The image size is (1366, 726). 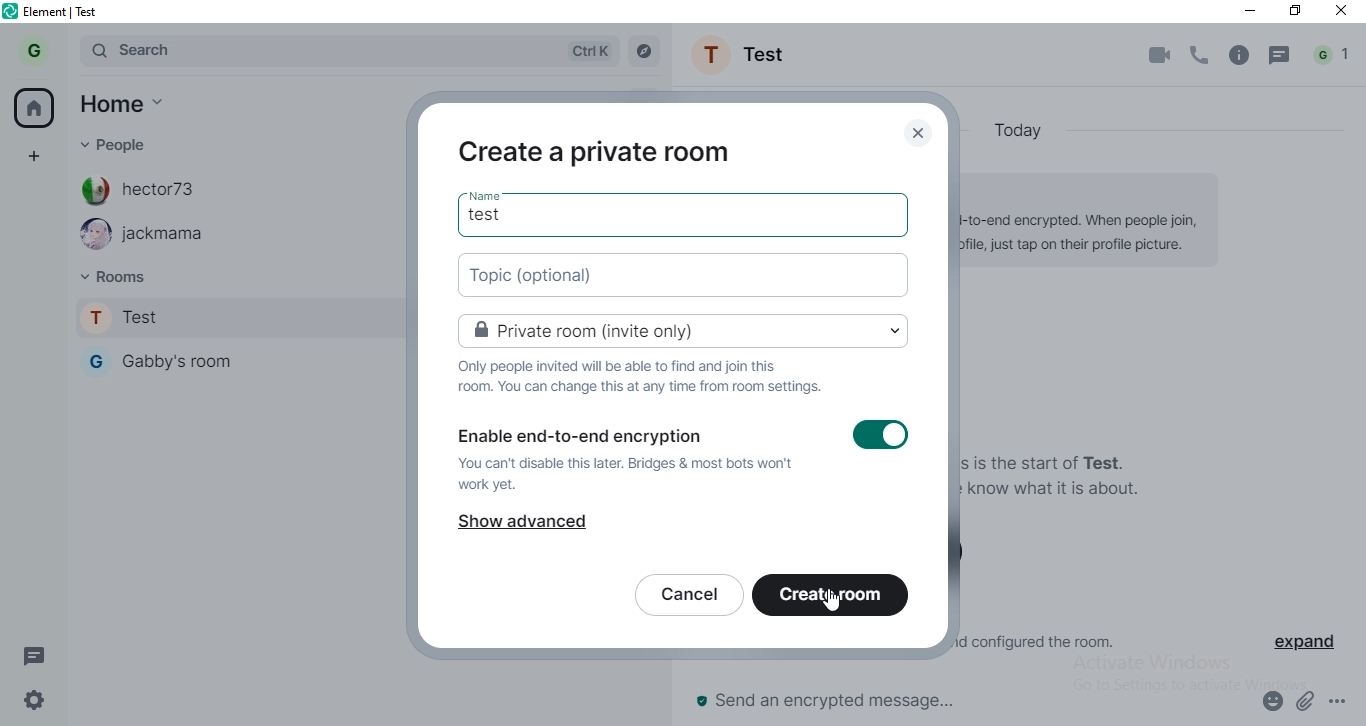 What do you see at coordinates (237, 314) in the screenshot?
I see `test` at bounding box center [237, 314].